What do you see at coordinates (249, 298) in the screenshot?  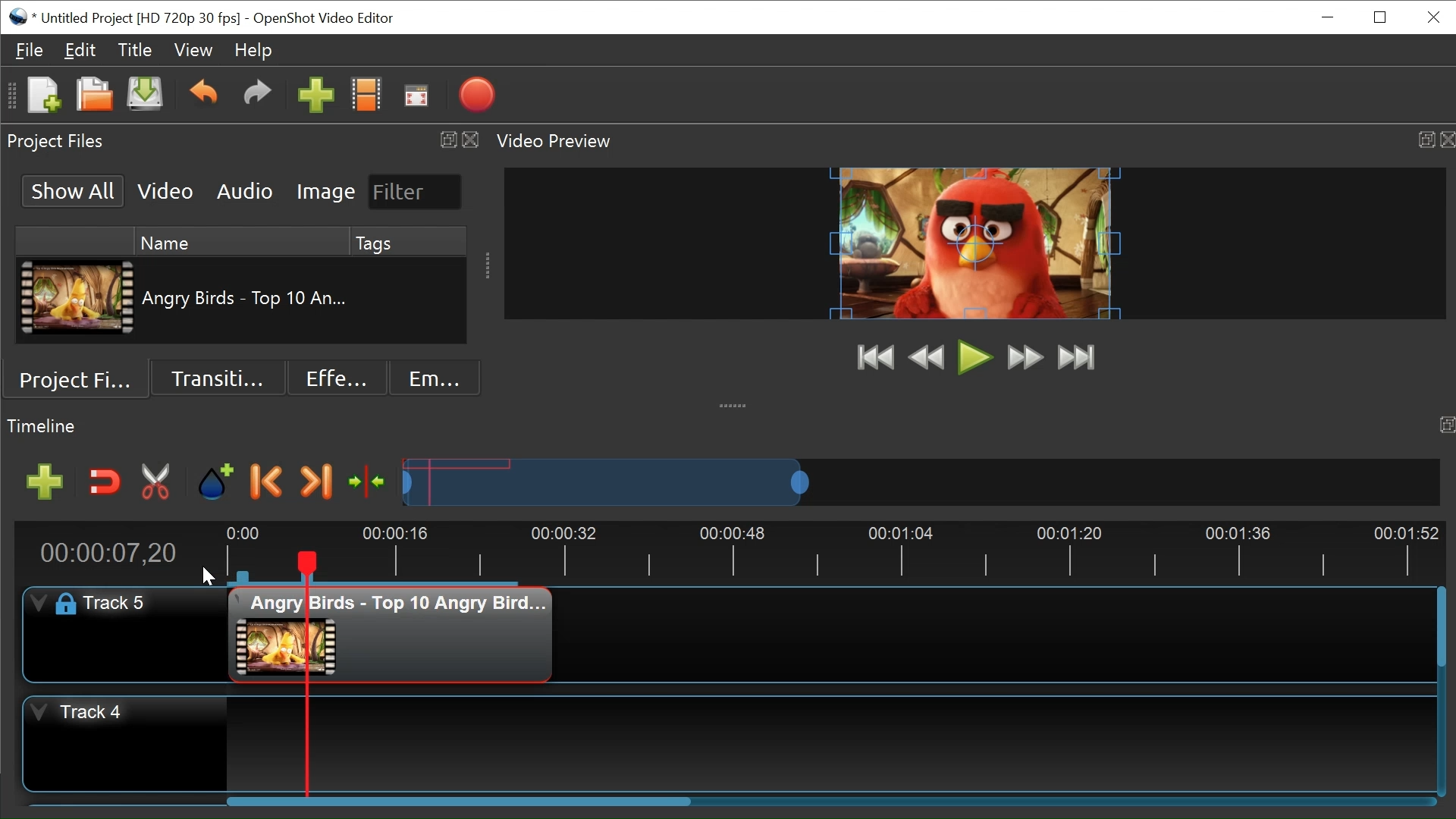 I see `Clip Nmae` at bounding box center [249, 298].